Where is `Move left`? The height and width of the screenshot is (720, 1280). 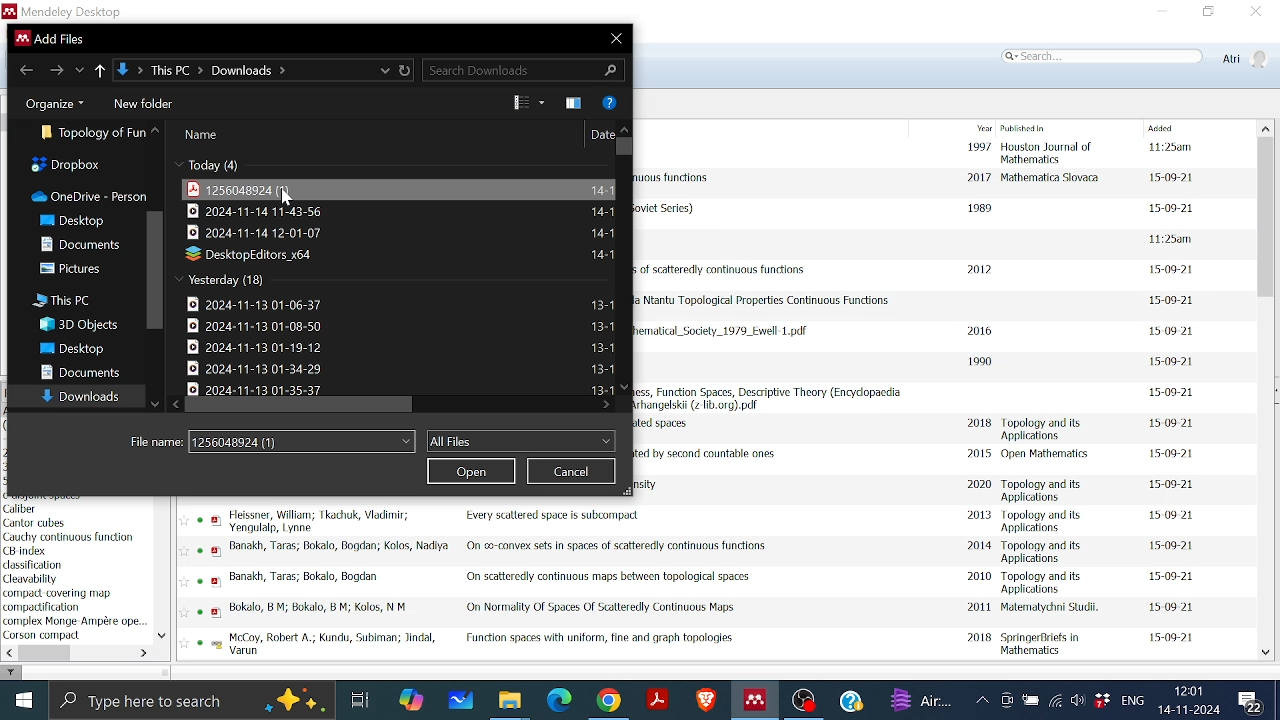
Move left is located at coordinates (142, 652).